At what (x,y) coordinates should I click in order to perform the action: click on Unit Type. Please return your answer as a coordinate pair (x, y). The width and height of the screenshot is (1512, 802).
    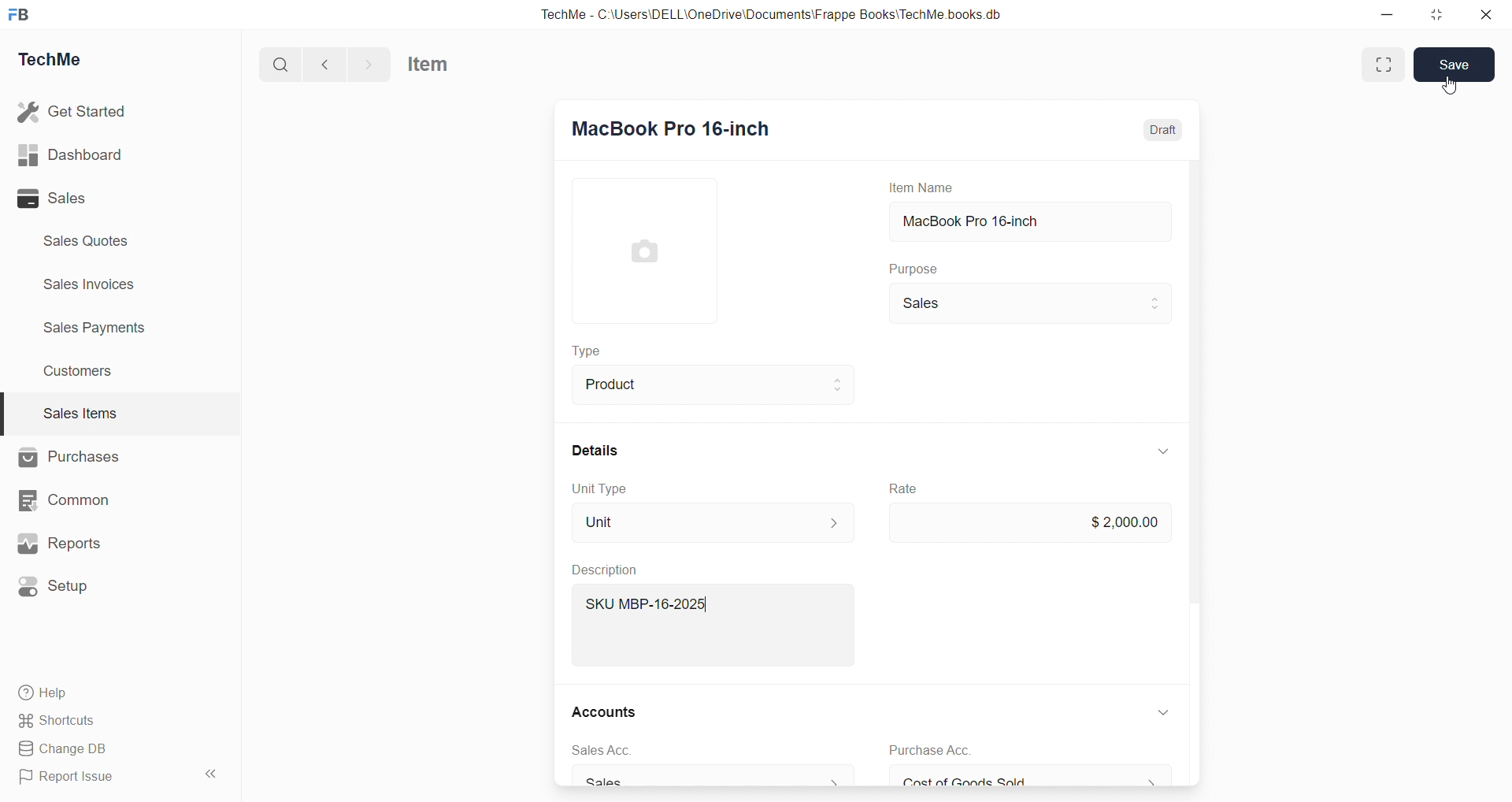
    Looking at the image, I should click on (600, 490).